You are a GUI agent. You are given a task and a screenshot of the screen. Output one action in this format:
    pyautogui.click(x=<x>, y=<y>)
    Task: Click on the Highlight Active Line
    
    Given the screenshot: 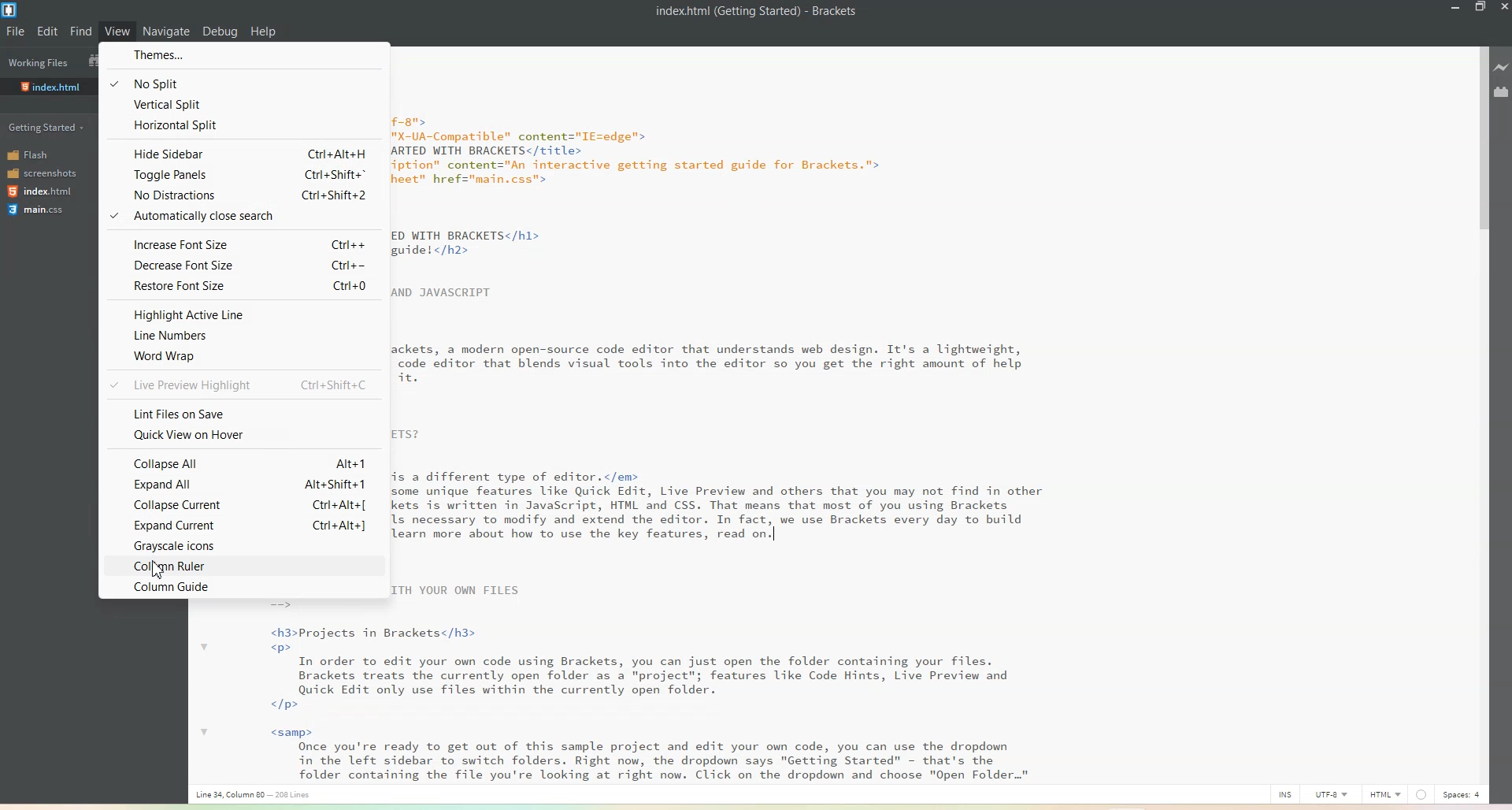 What is the action you would take?
    pyautogui.click(x=242, y=314)
    